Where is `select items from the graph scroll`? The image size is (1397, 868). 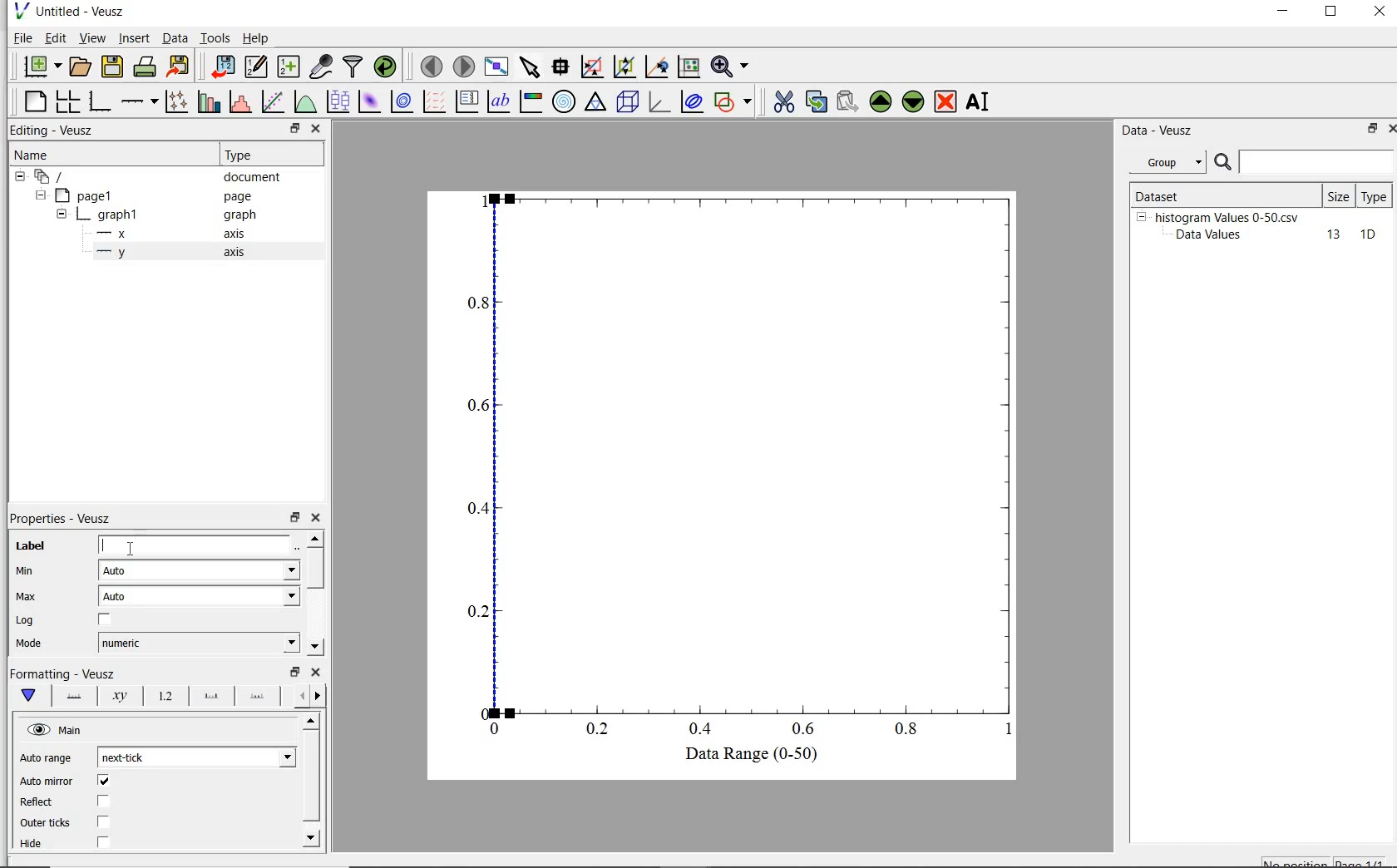 select items from the graph scroll is located at coordinates (531, 65).